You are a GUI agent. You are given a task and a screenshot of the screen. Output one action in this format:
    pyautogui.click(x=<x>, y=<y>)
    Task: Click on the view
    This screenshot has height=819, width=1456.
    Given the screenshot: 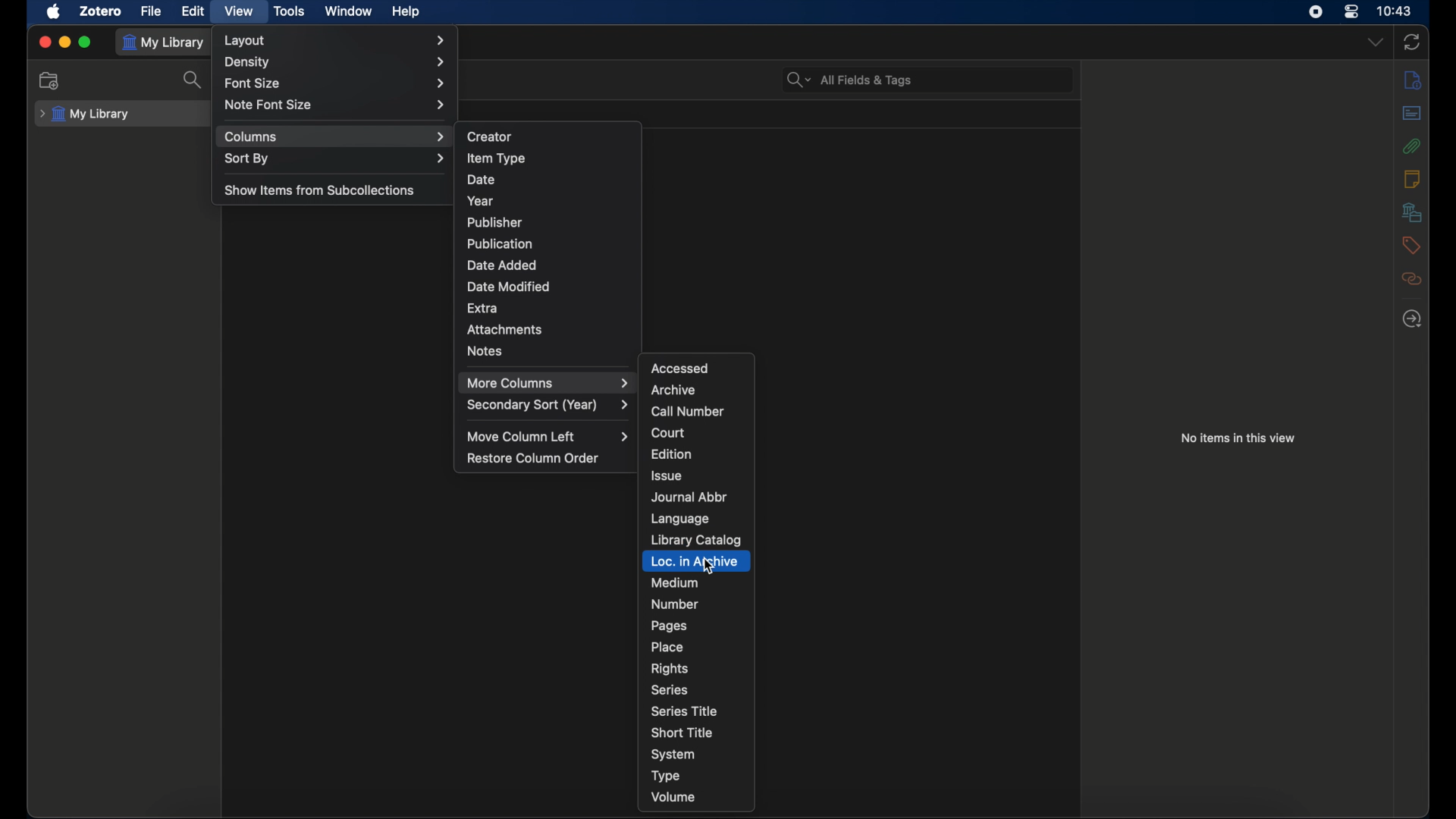 What is the action you would take?
    pyautogui.click(x=238, y=11)
    